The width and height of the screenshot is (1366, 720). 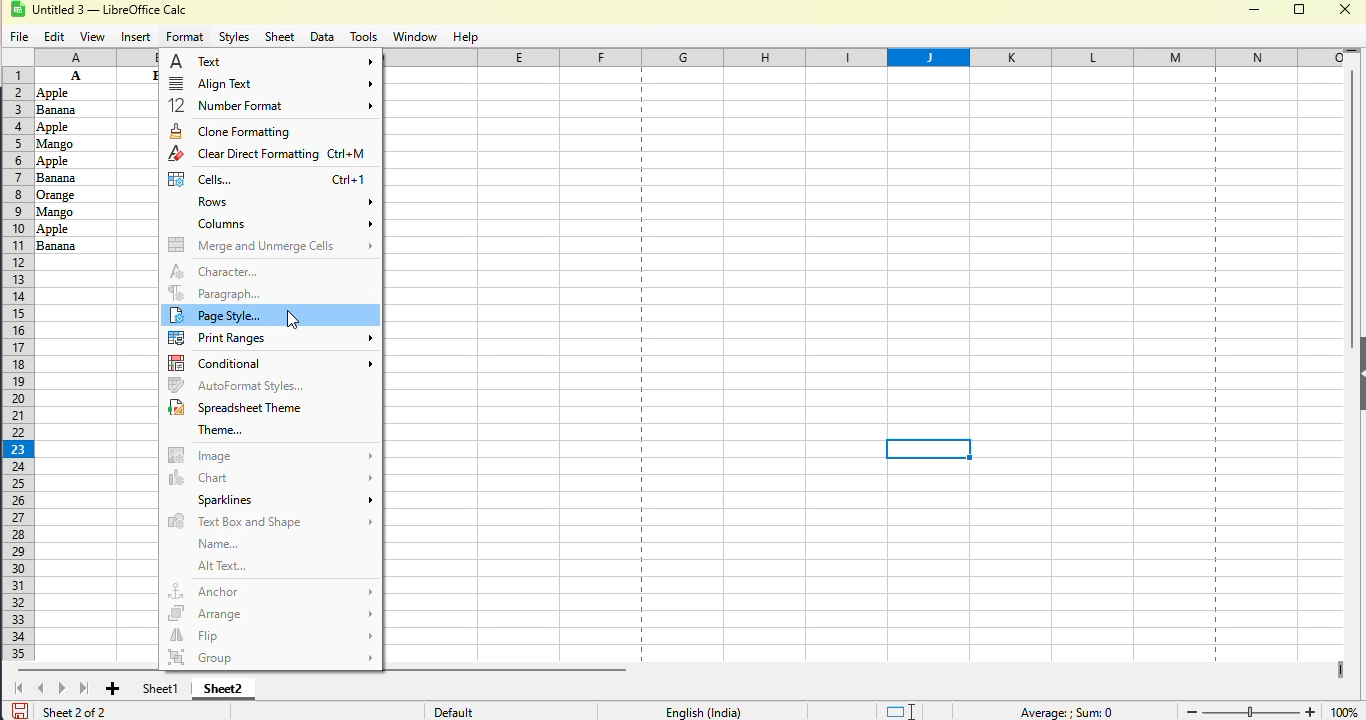 What do you see at coordinates (74, 194) in the screenshot?
I see `` at bounding box center [74, 194].